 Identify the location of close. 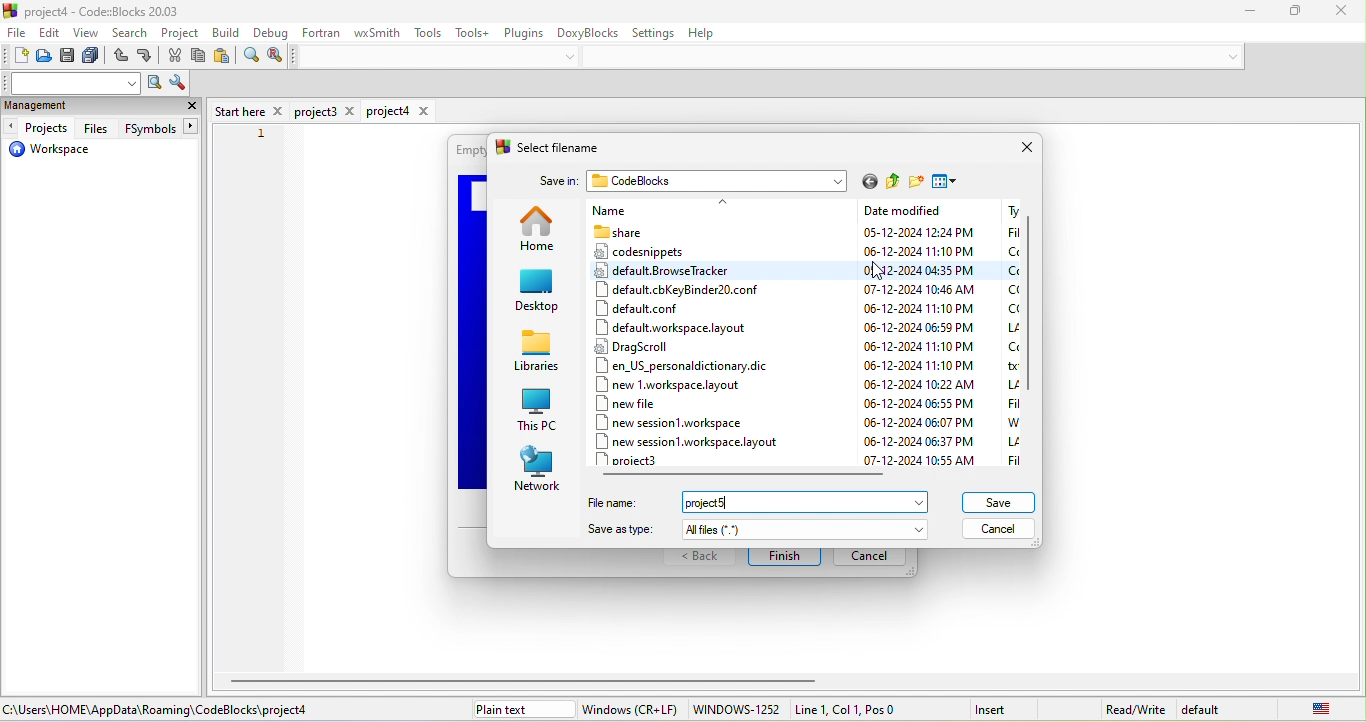
(1025, 147).